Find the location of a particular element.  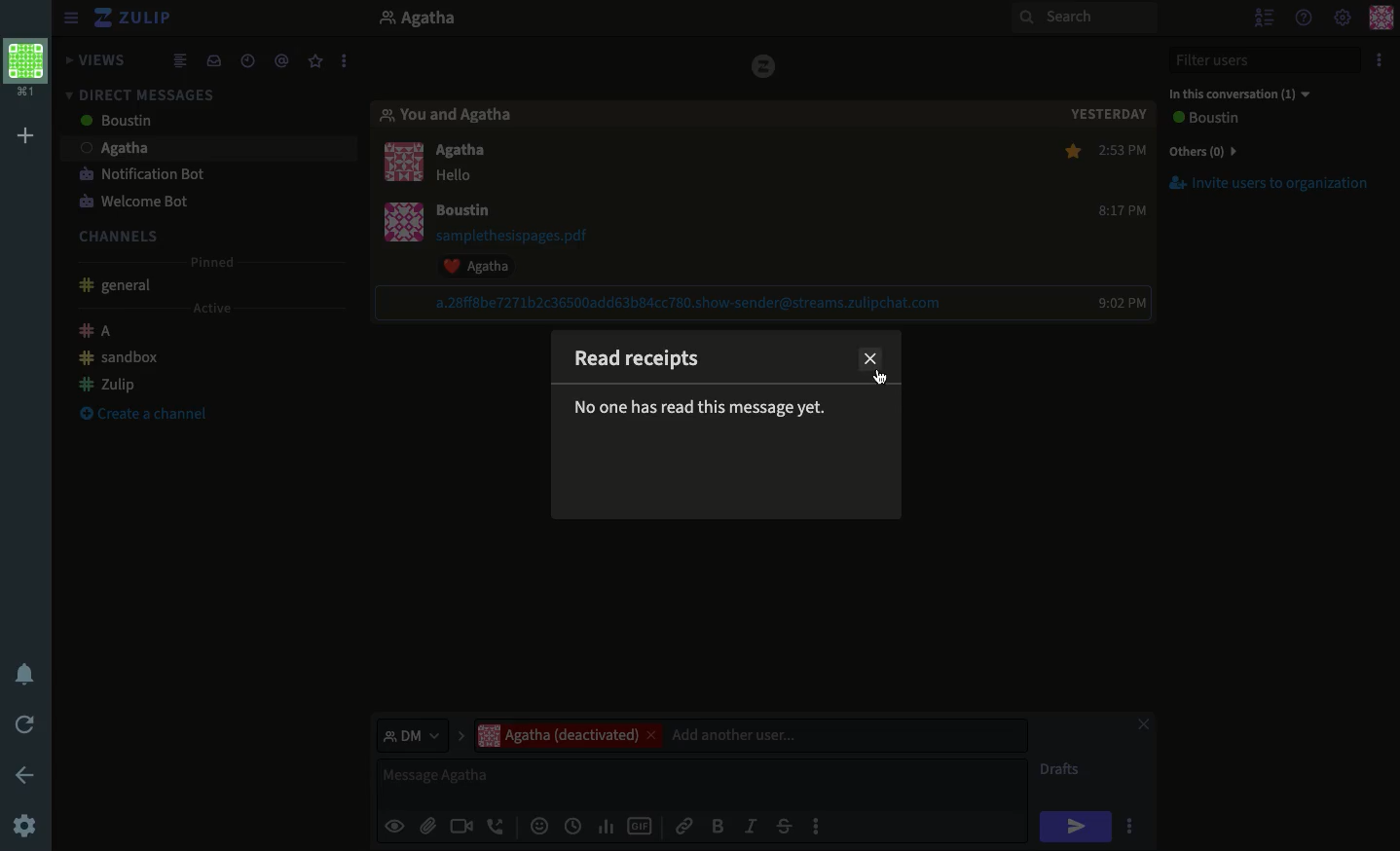

Sandbox is located at coordinates (121, 358).